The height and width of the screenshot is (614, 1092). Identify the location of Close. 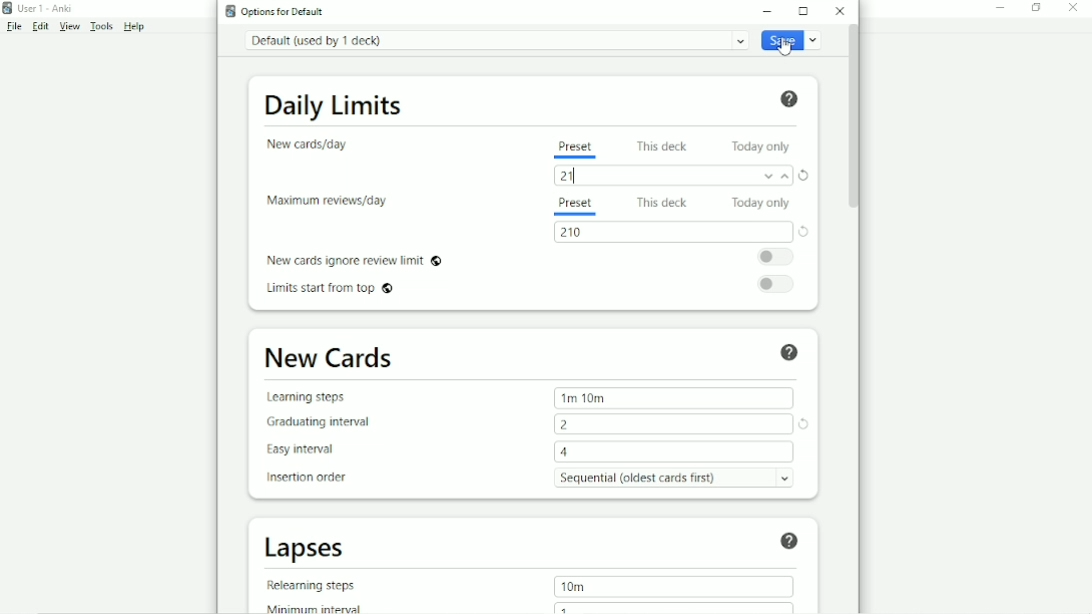
(1074, 8).